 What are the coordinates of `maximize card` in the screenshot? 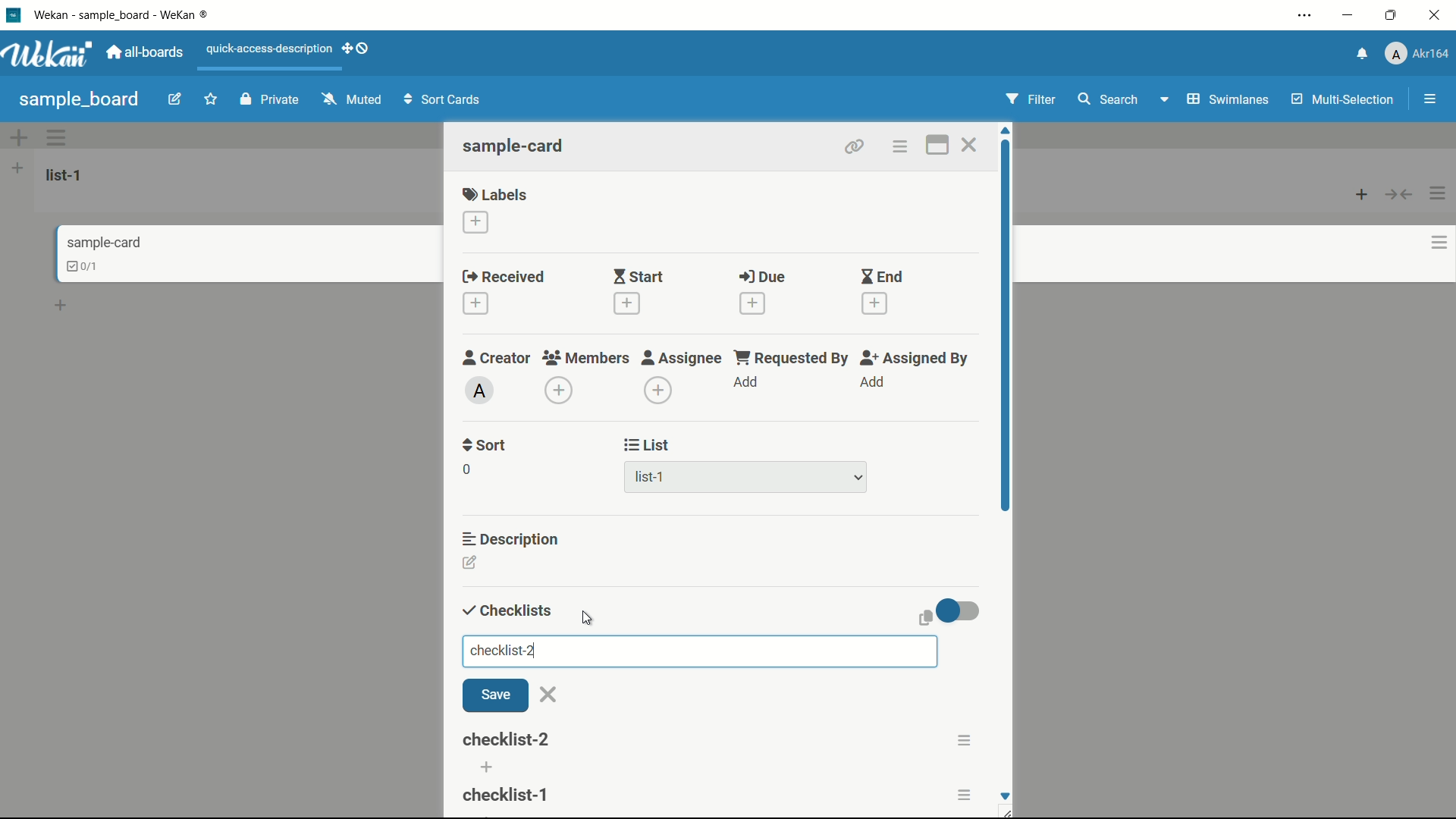 It's located at (937, 147).